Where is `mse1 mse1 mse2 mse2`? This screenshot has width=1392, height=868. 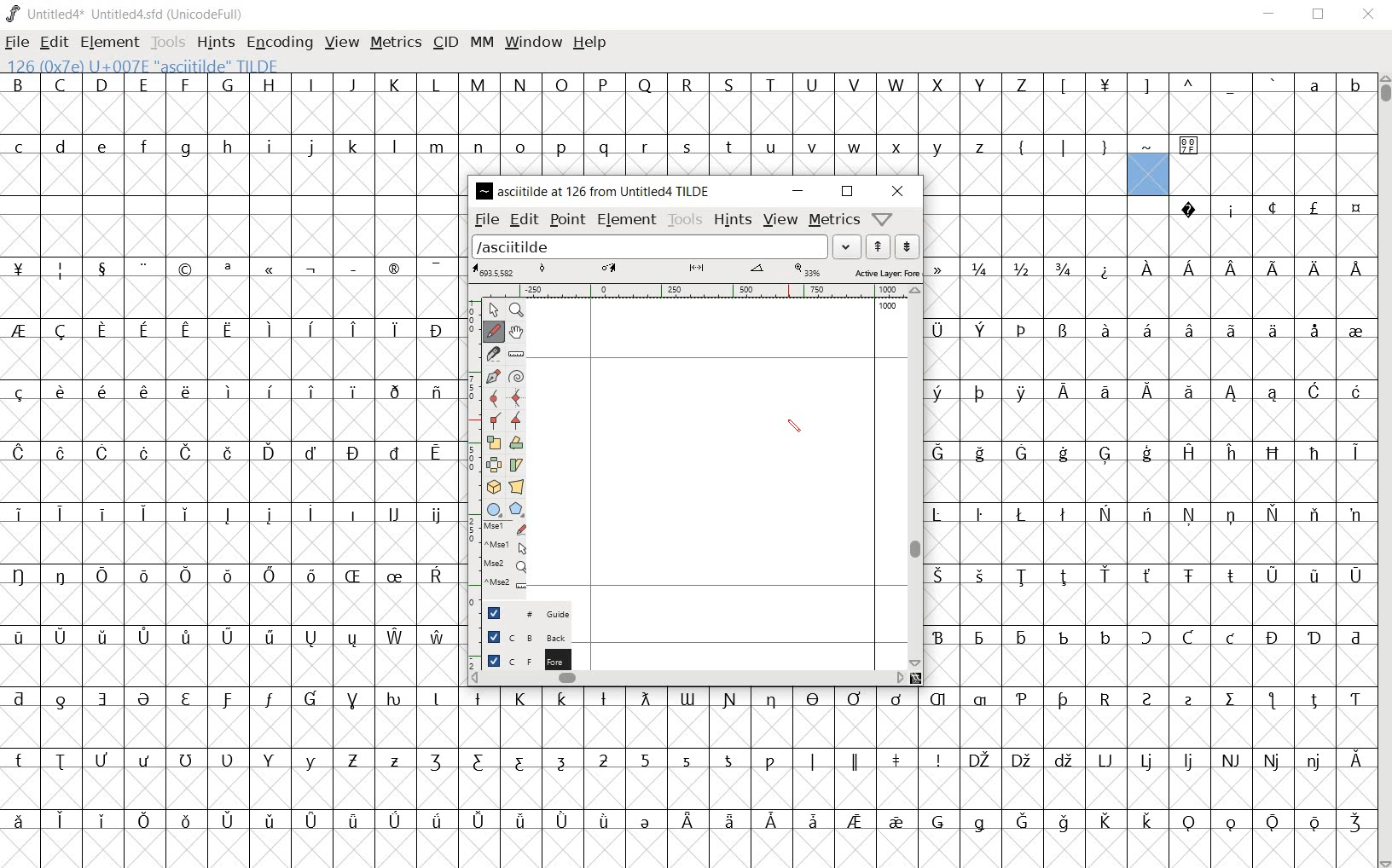
mse1 mse1 mse2 mse2 is located at coordinates (497, 558).